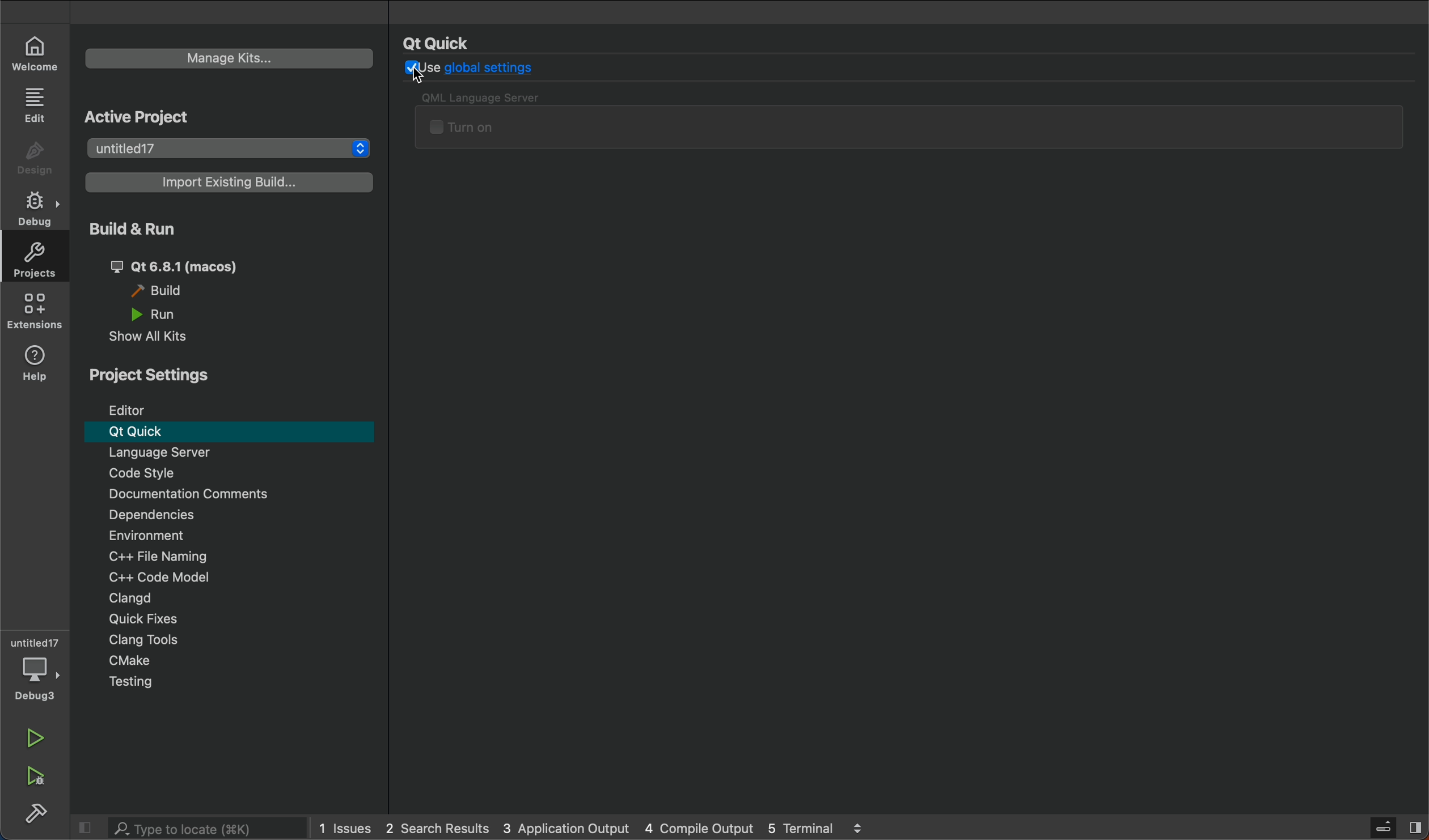 This screenshot has height=840, width=1429. I want to click on show all kits, so click(152, 340).